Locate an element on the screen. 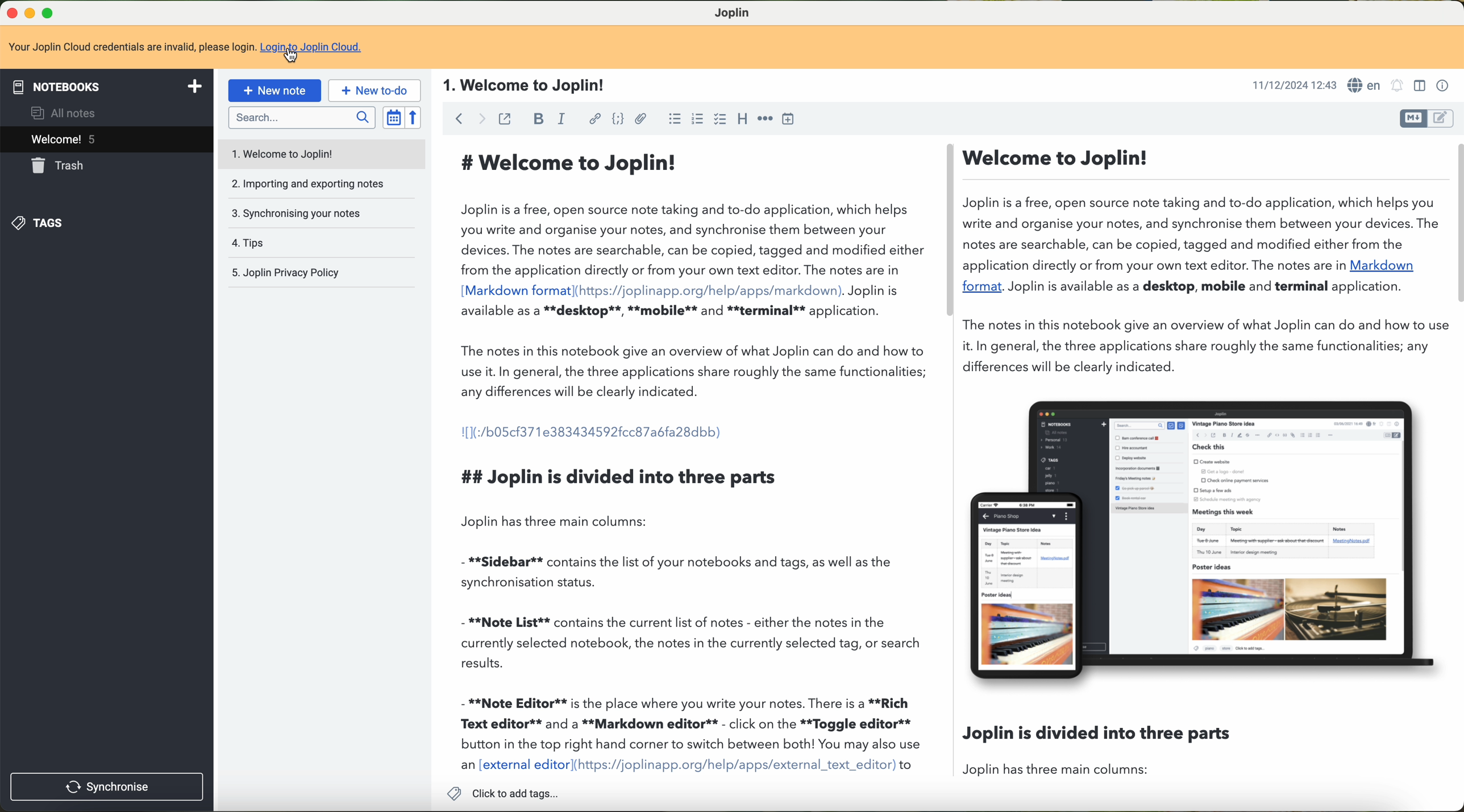 Image resolution: width=1464 pixels, height=812 pixels. hyperlink is located at coordinates (596, 119).